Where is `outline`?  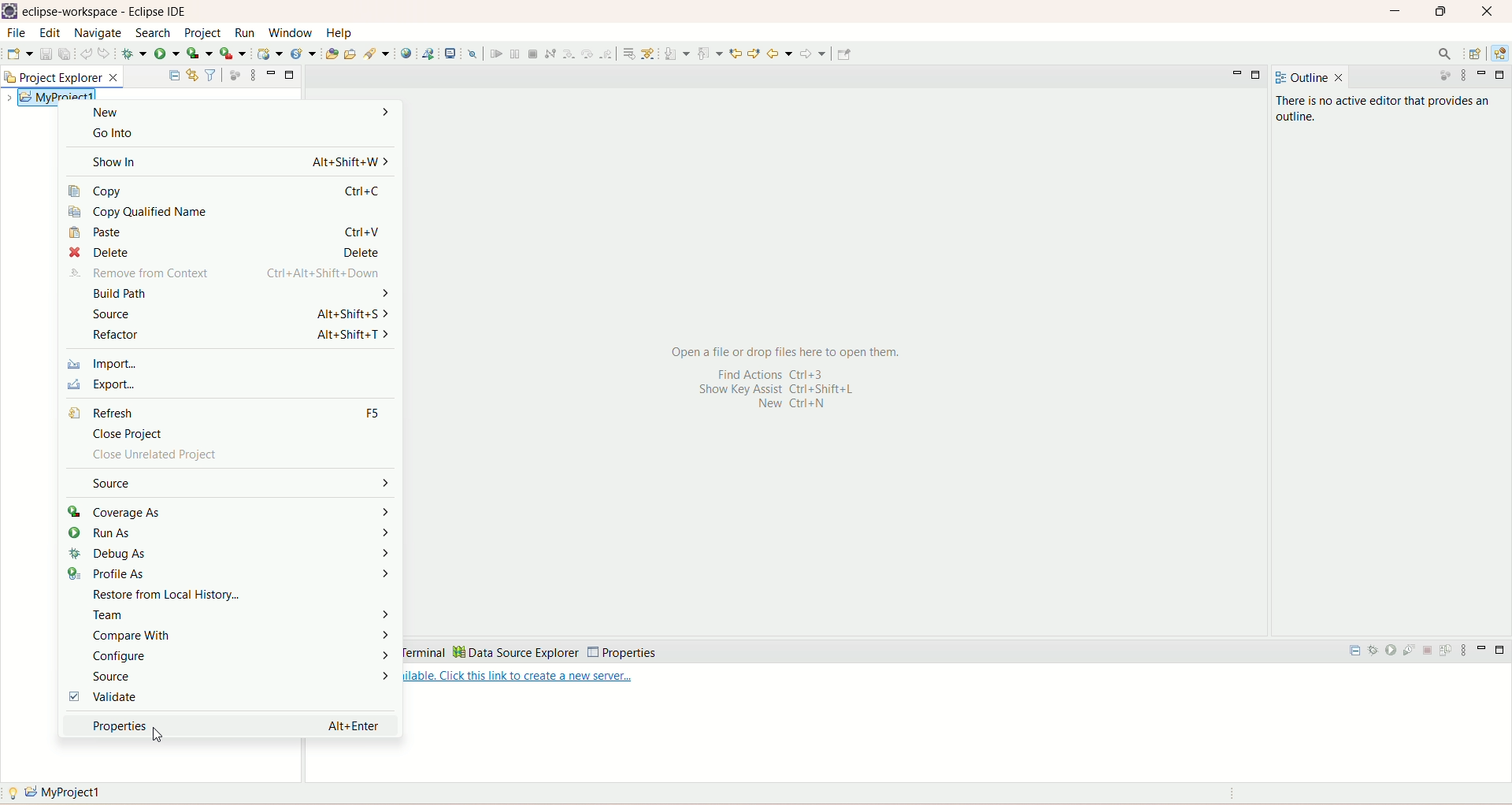
outline is located at coordinates (1312, 77).